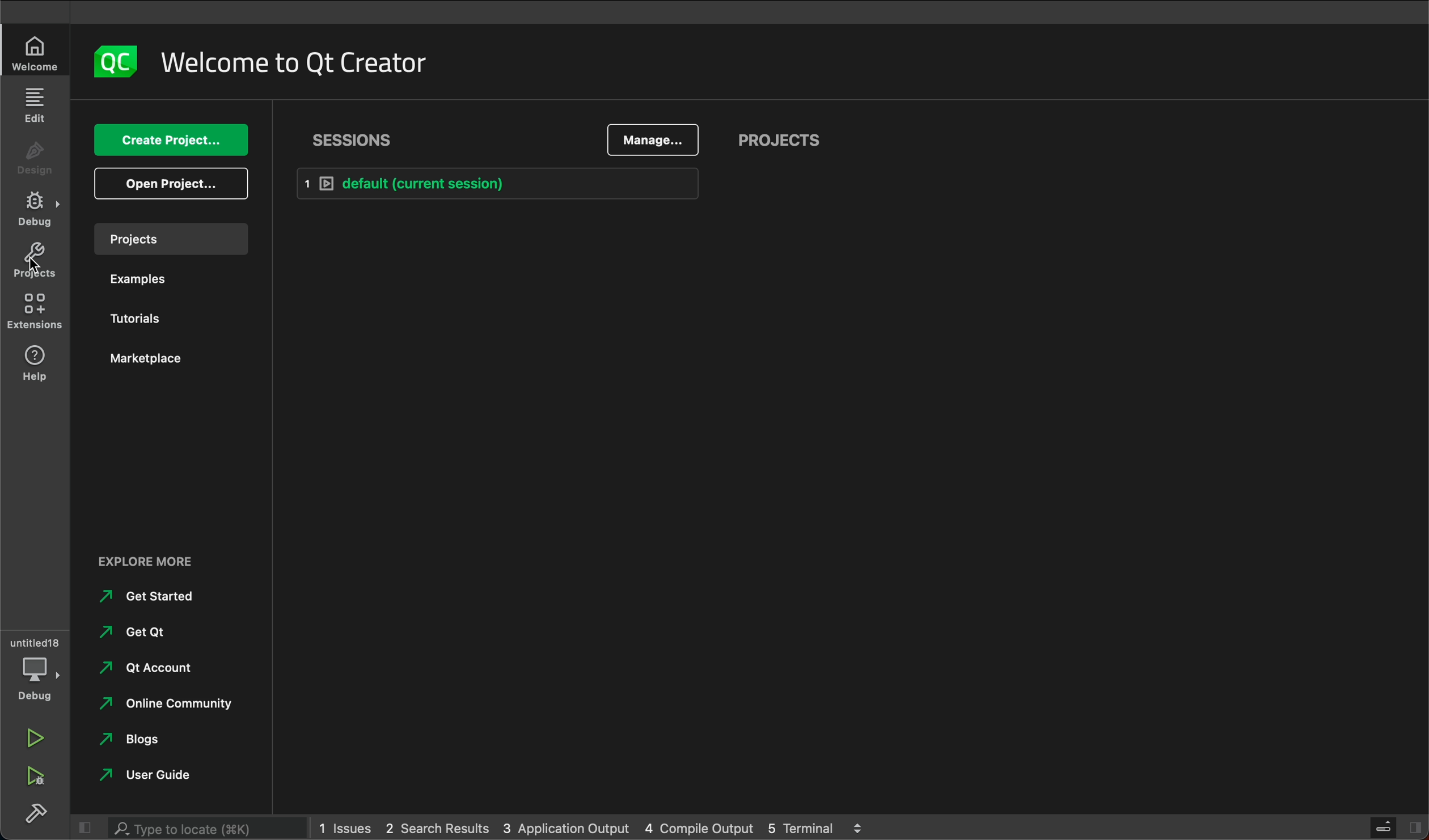 This screenshot has height=840, width=1429. Describe the element at coordinates (175, 141) in the screenshot. I see `create project` at that location.